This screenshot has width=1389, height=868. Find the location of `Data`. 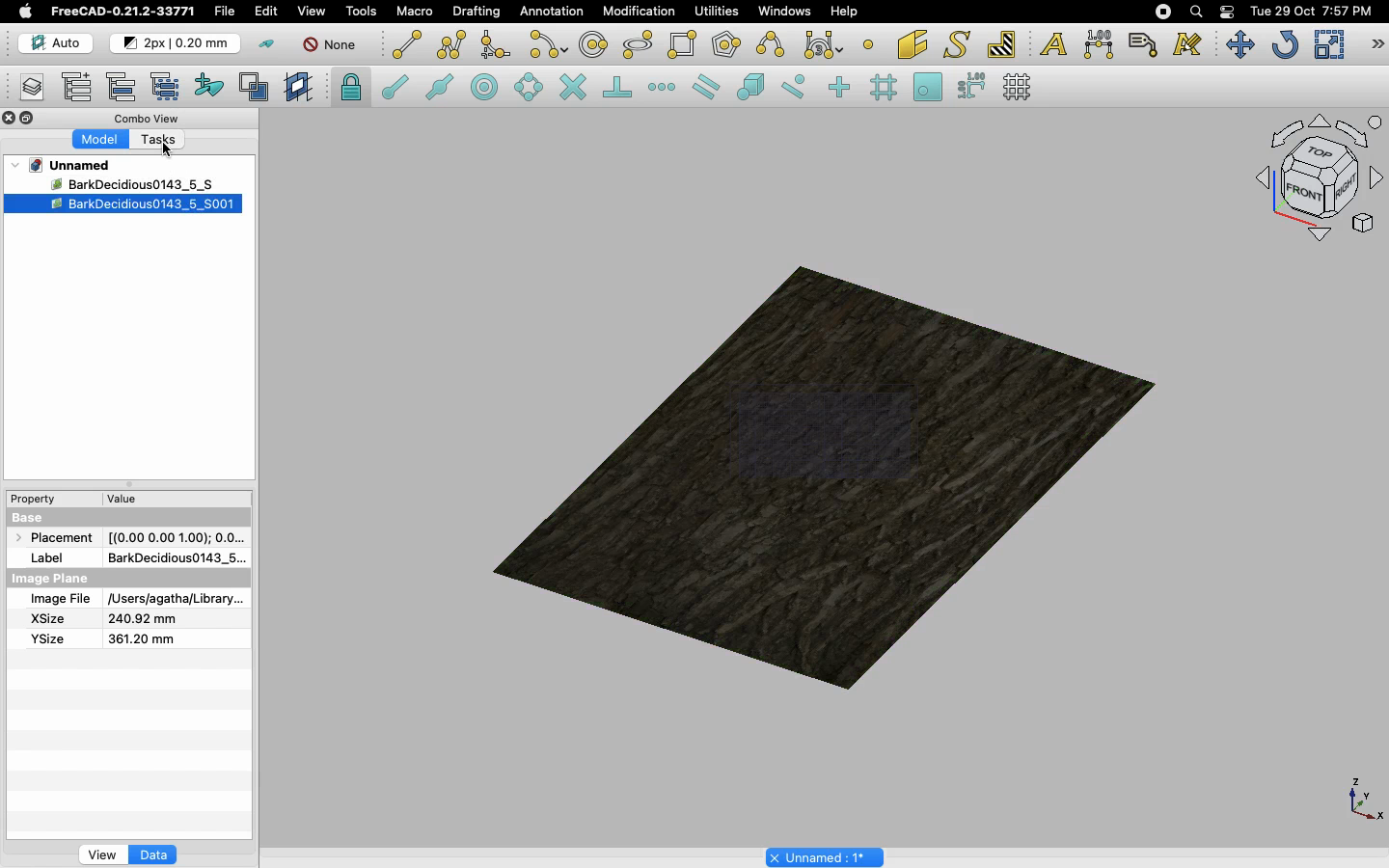

Data is located at coordinates (153, 854).